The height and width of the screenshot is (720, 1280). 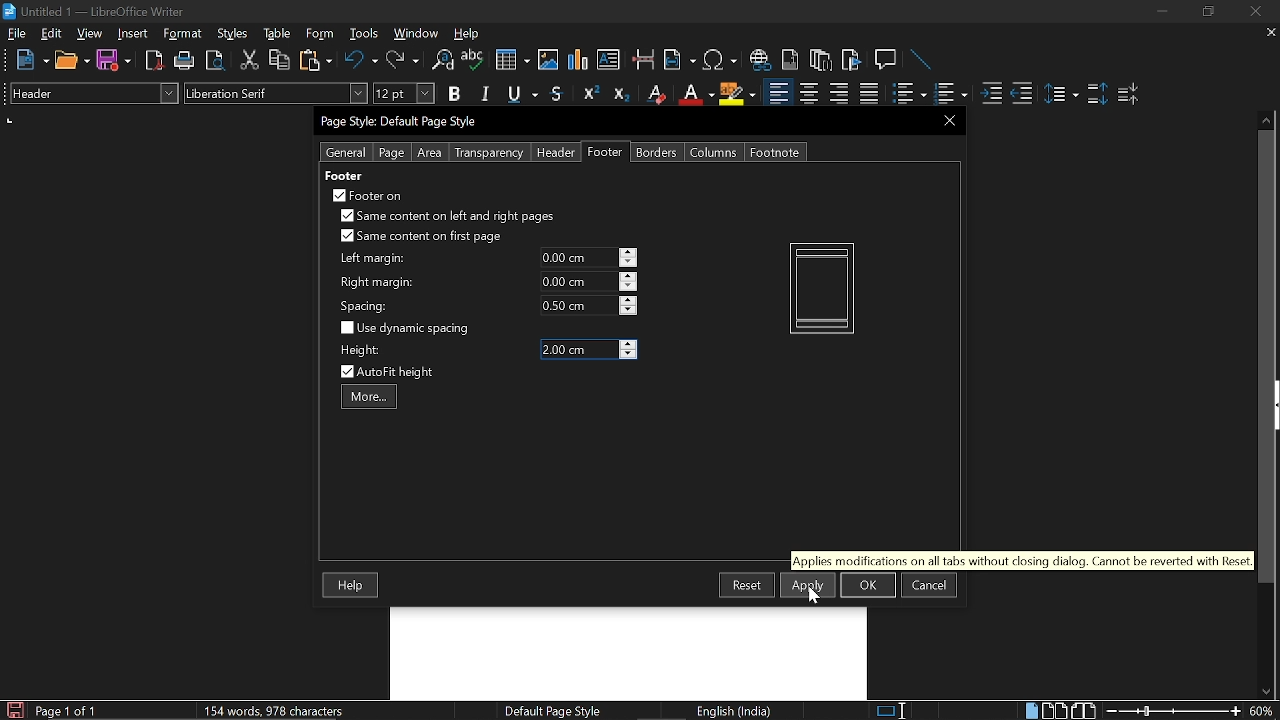 I want to click on Text style, so click(x=277, y=93).